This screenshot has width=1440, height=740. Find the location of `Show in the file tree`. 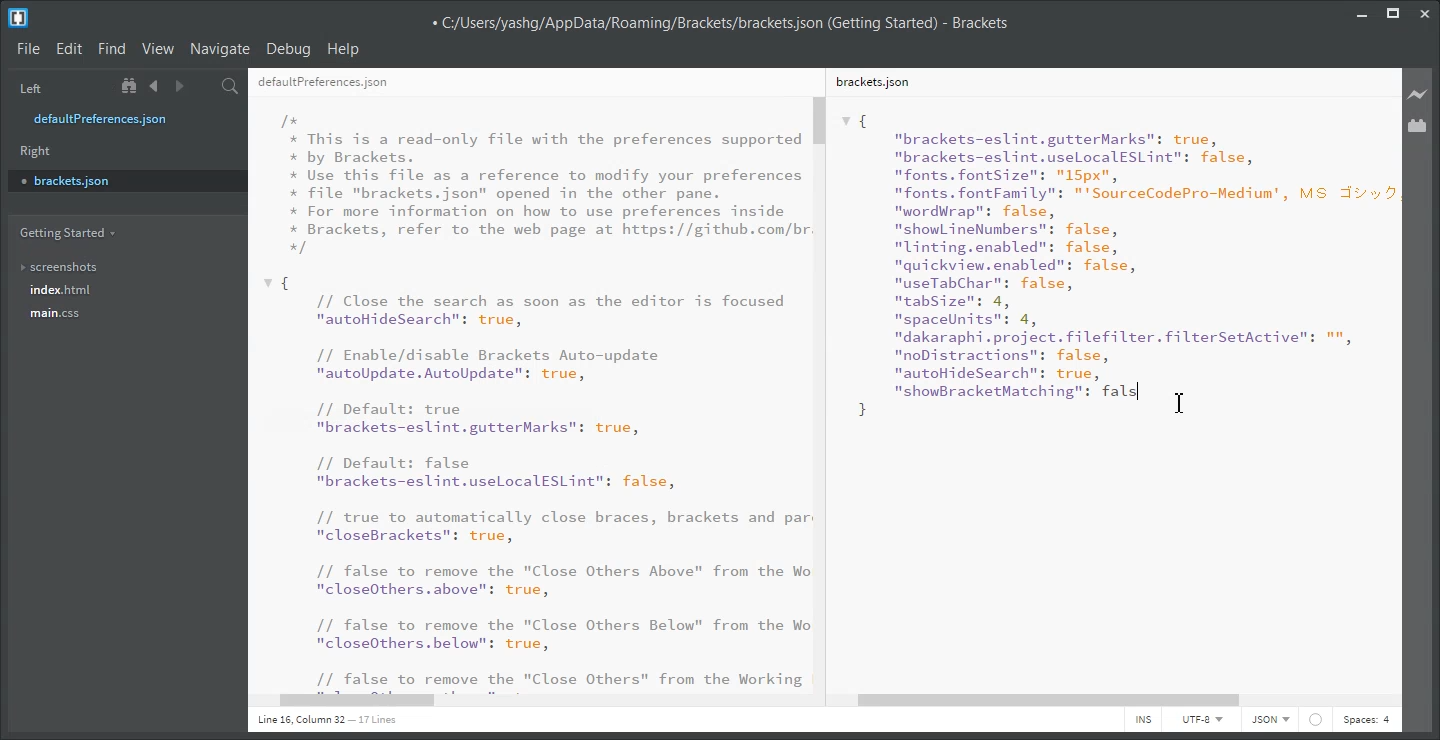

Show in the file tree is located at coordinates (131, 86).